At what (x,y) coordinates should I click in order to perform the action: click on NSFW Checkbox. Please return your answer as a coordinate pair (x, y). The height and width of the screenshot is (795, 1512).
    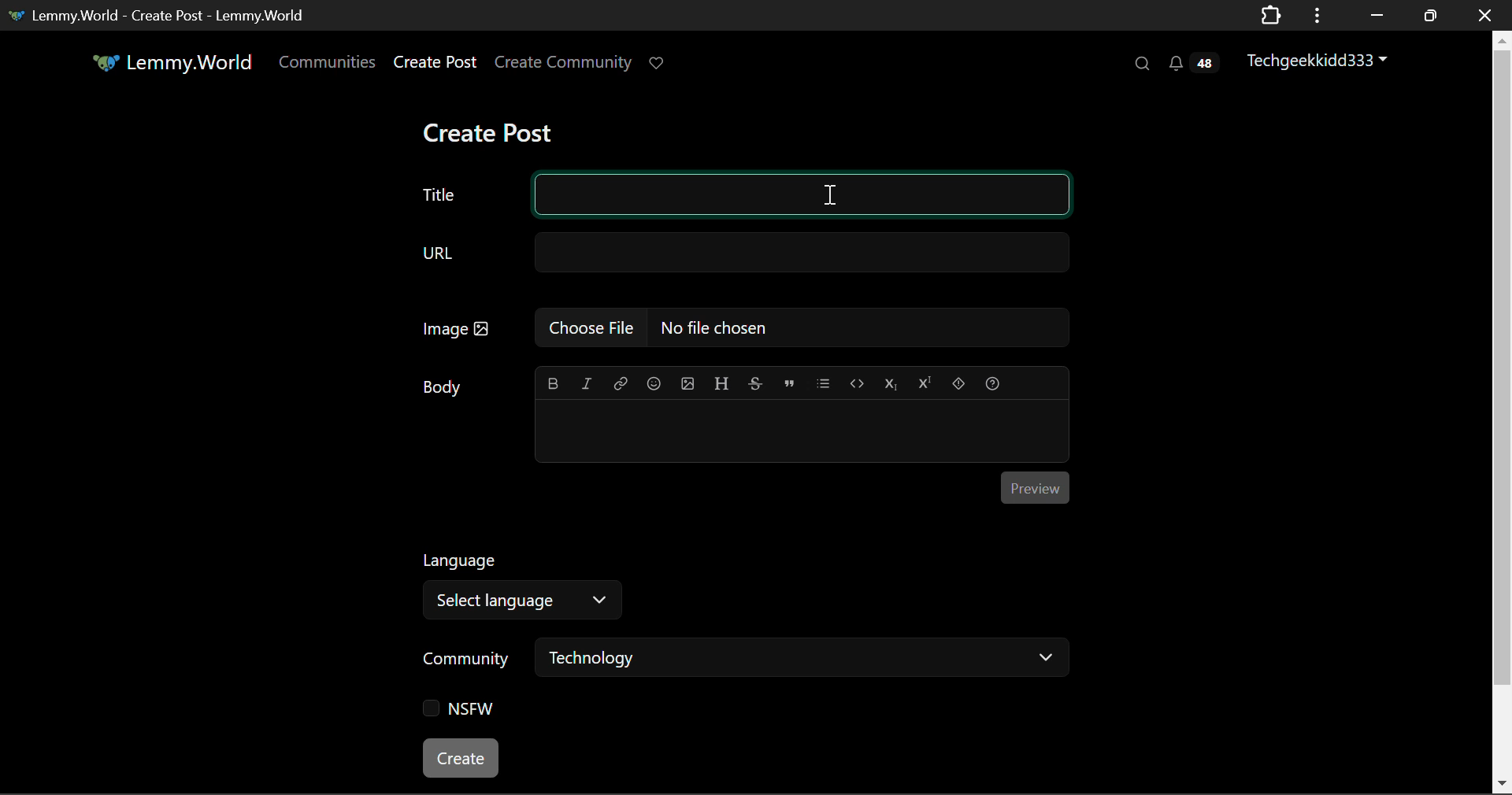
    Looking at the image, I should click on (465, 712).